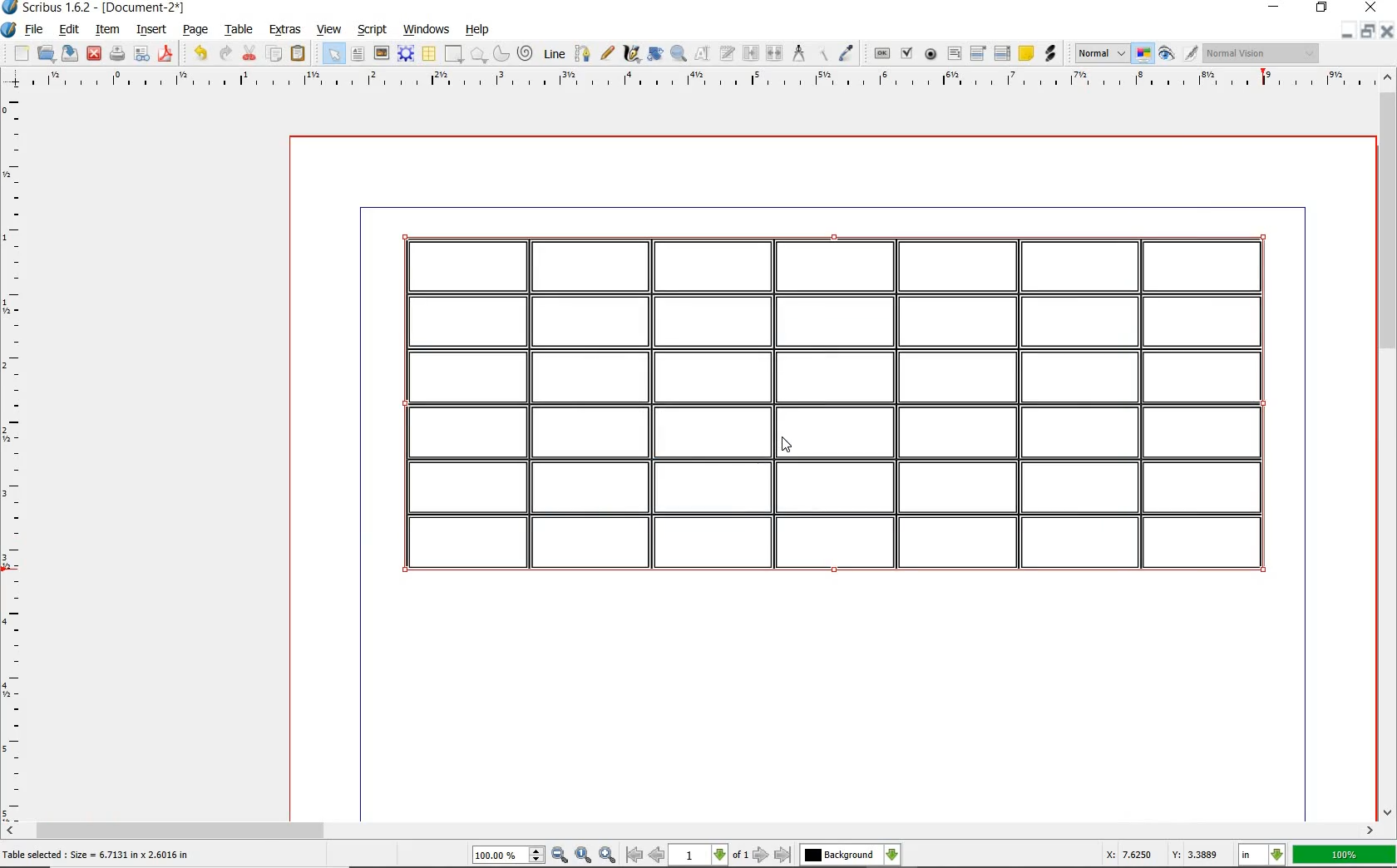 Image resolution: width=1397 pixels, height=868 pixels. What do you see at coordinates (93, 54) in the screenshot?
I see `close` at bounding box center [93, 54].